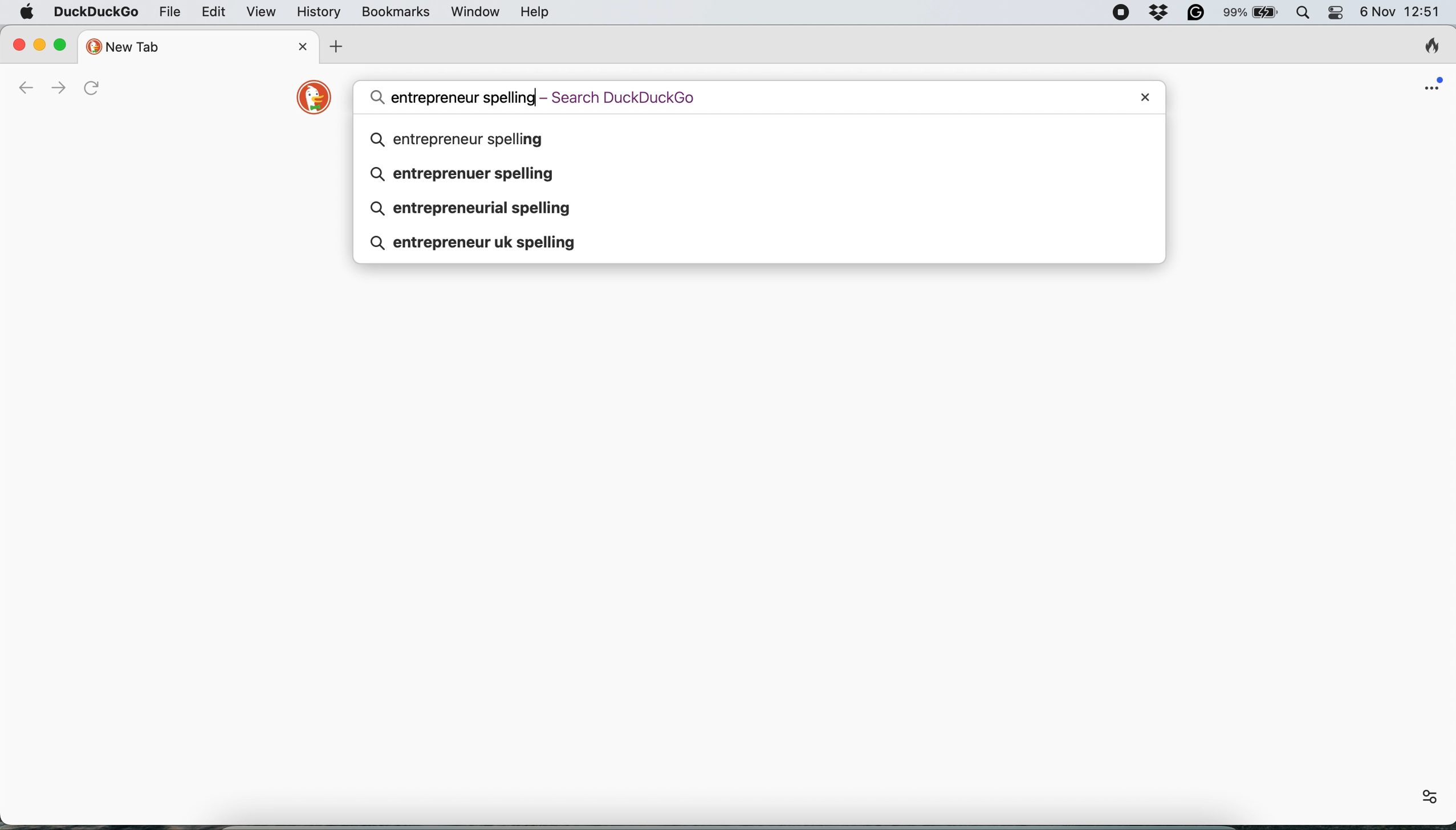 This screenshot has width=1456, height=830. Describe the element at coordinates (318, 12) in the screenshot. I see `history` at that location.